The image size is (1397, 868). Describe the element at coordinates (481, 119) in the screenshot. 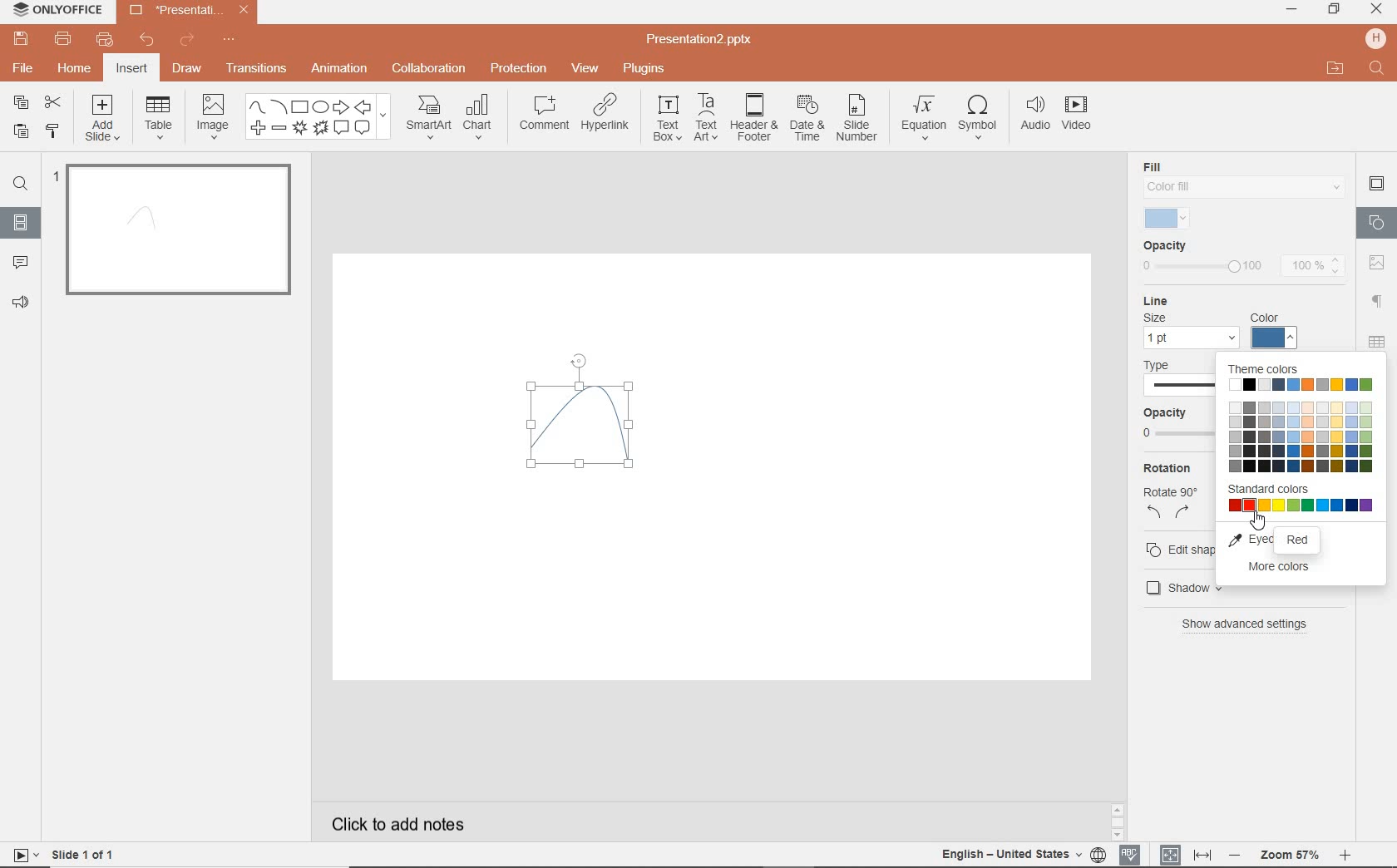

I see `CHART` at that location.